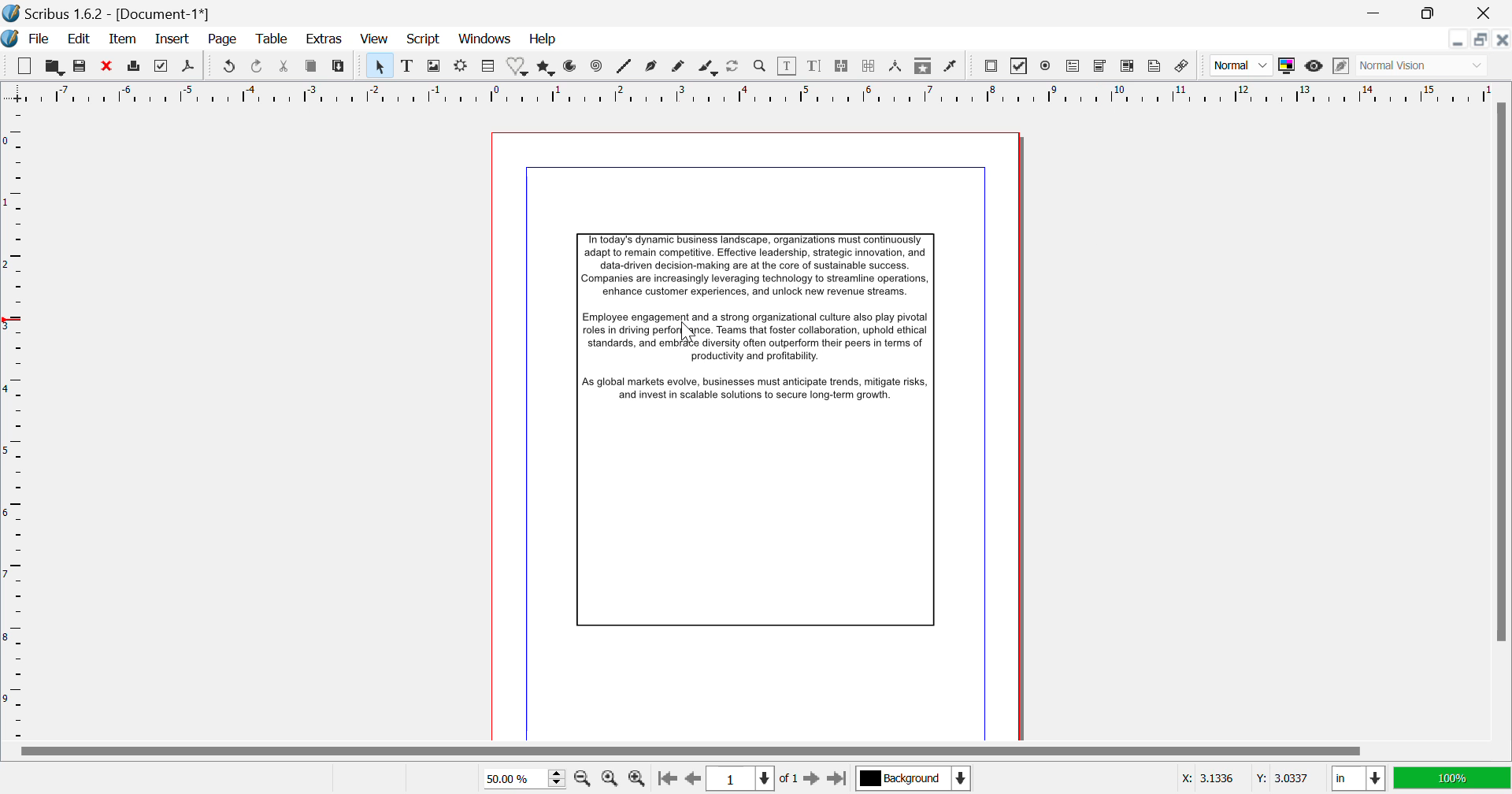  I want to click on Cursor Position, so click(690, 333).